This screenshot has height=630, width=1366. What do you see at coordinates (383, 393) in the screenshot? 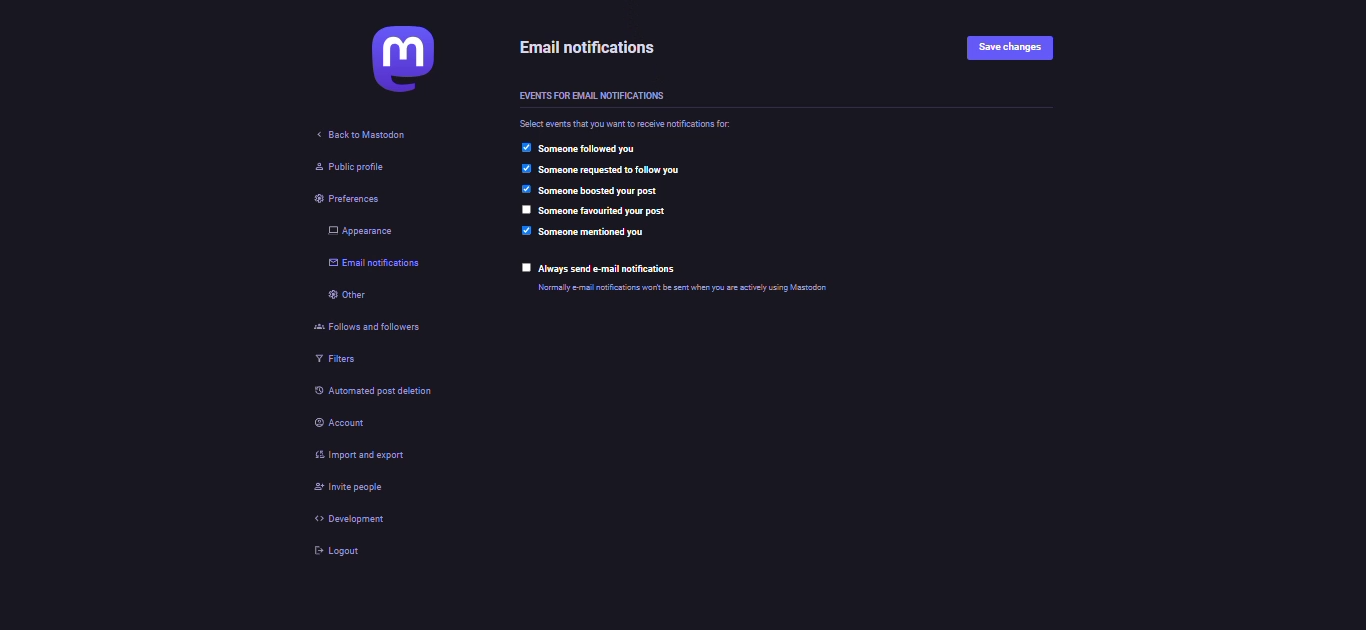
I see `automated post deletion` at bounding box center [383, 393].